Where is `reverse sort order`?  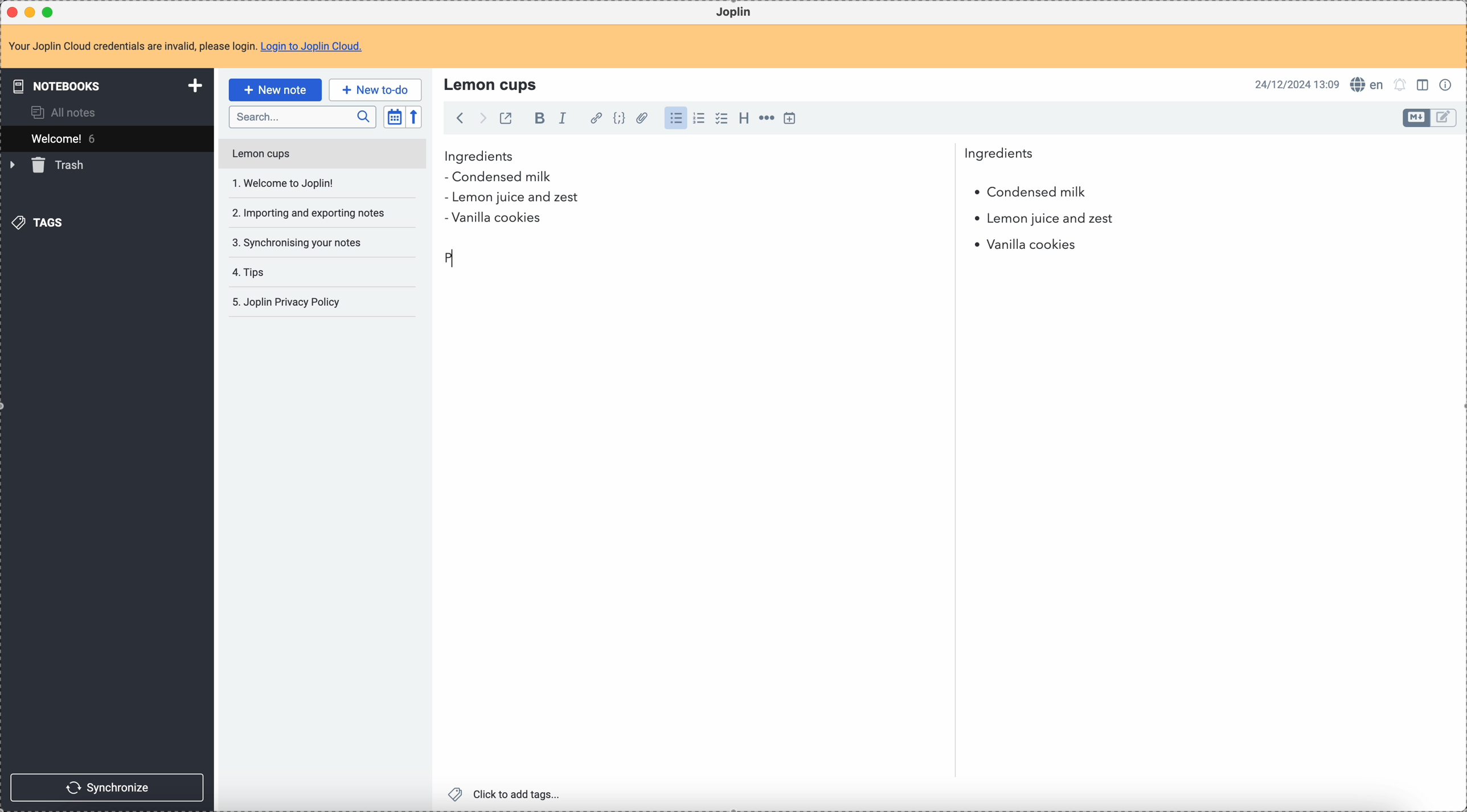
reverse sort order is located at coordinates (416, 117).